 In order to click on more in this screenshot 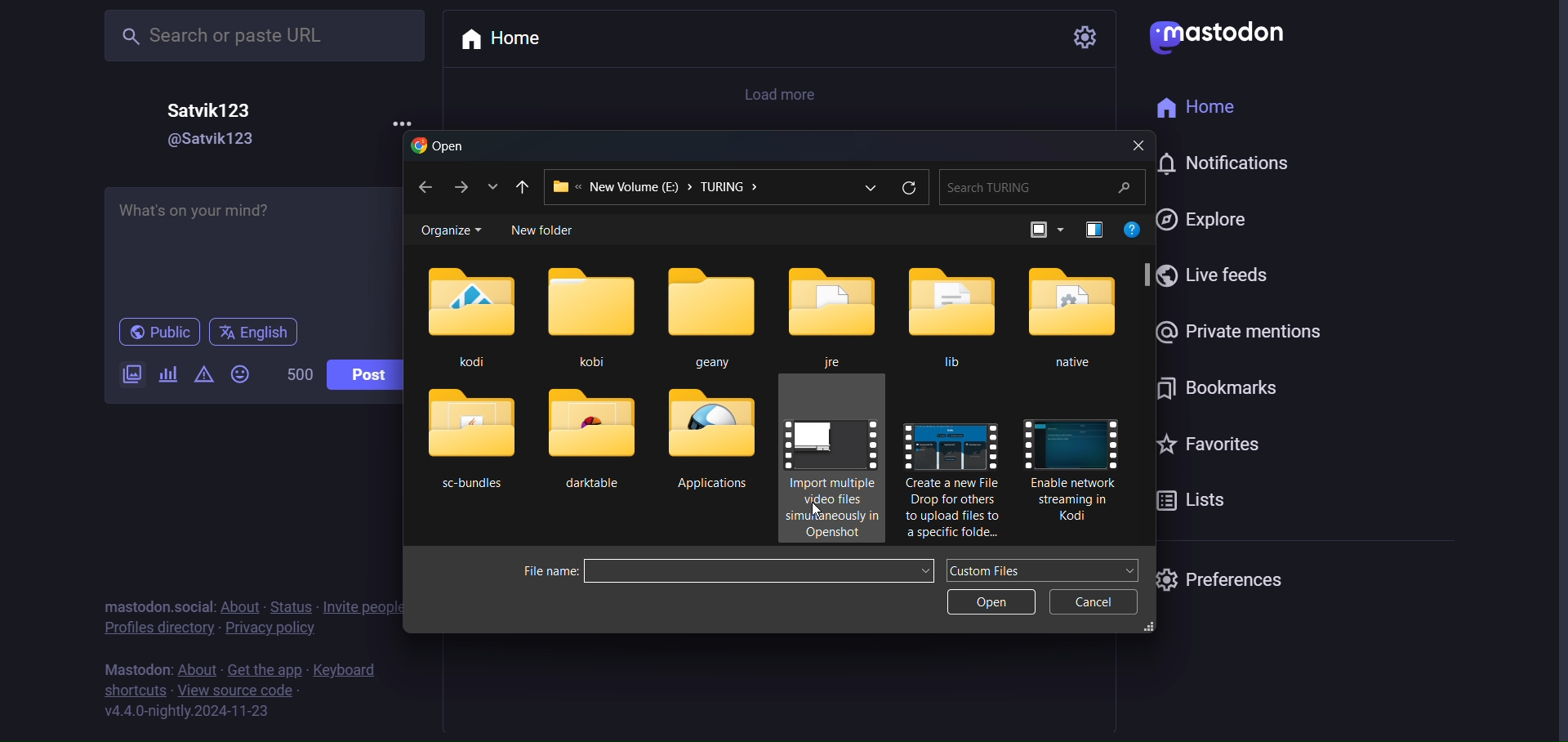, I will do `click(406, 123)`.